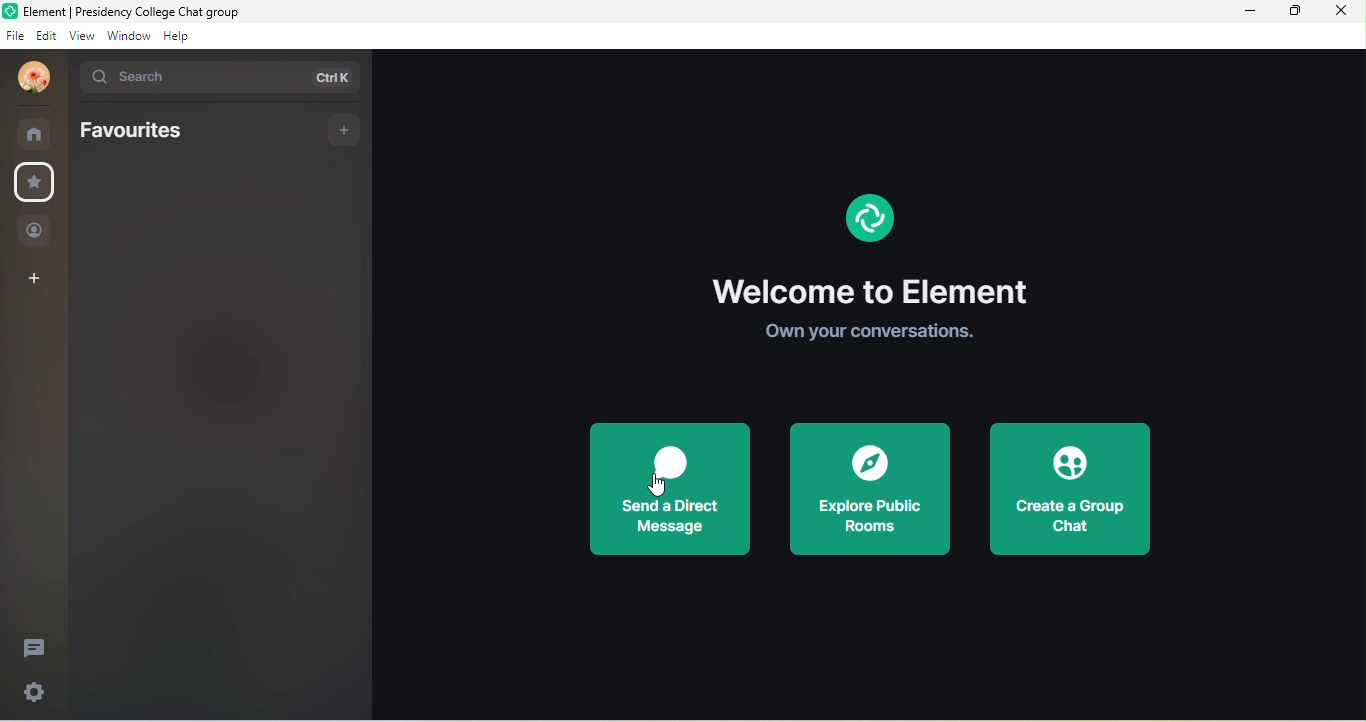 The width and height of the screenshot is (1366, 722). Describe the element at coordinates (35, 648) in the screenshot. I see `thread` at that location.